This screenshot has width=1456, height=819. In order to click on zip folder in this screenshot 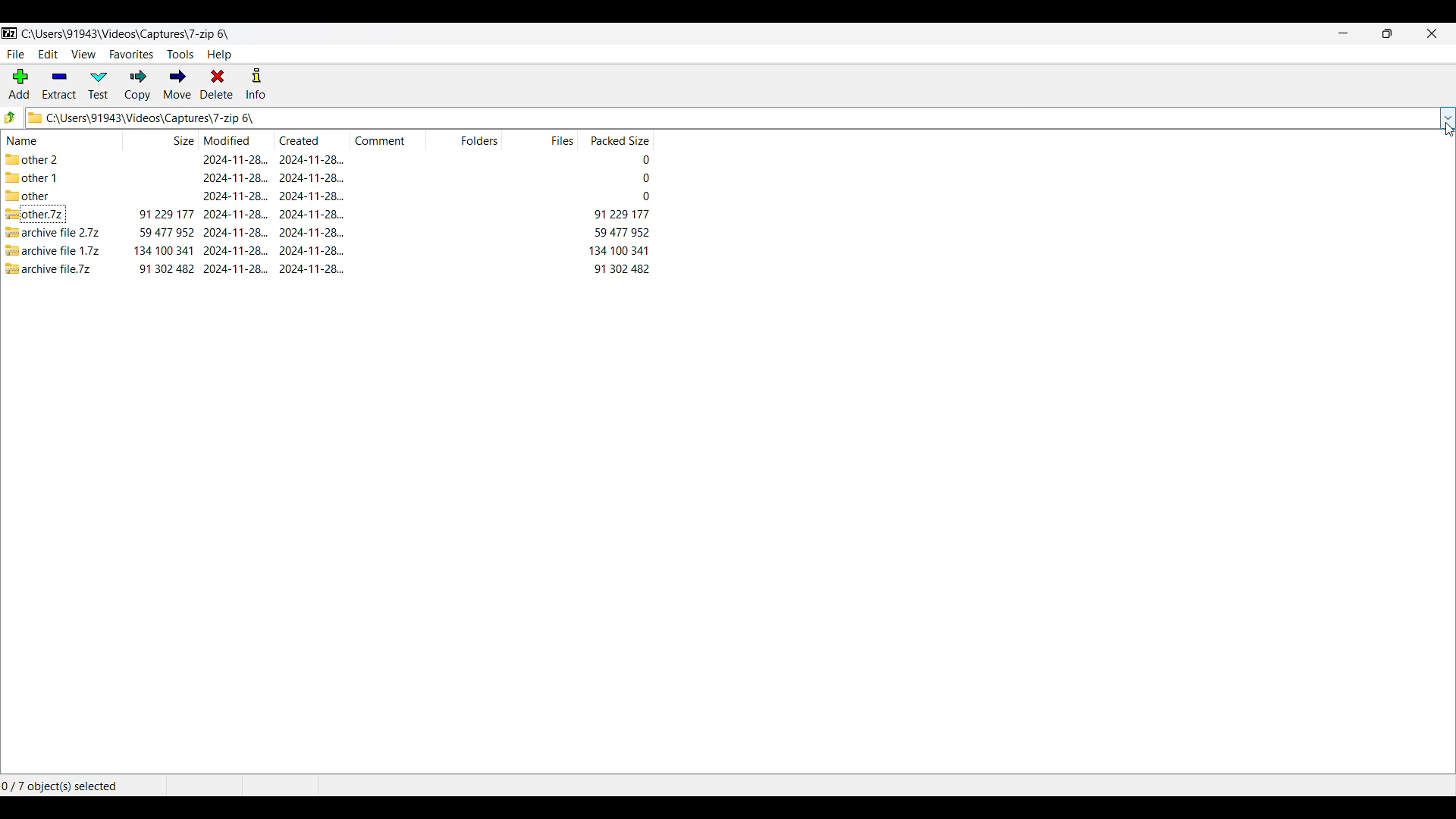, I will do `click(35, 214)`.